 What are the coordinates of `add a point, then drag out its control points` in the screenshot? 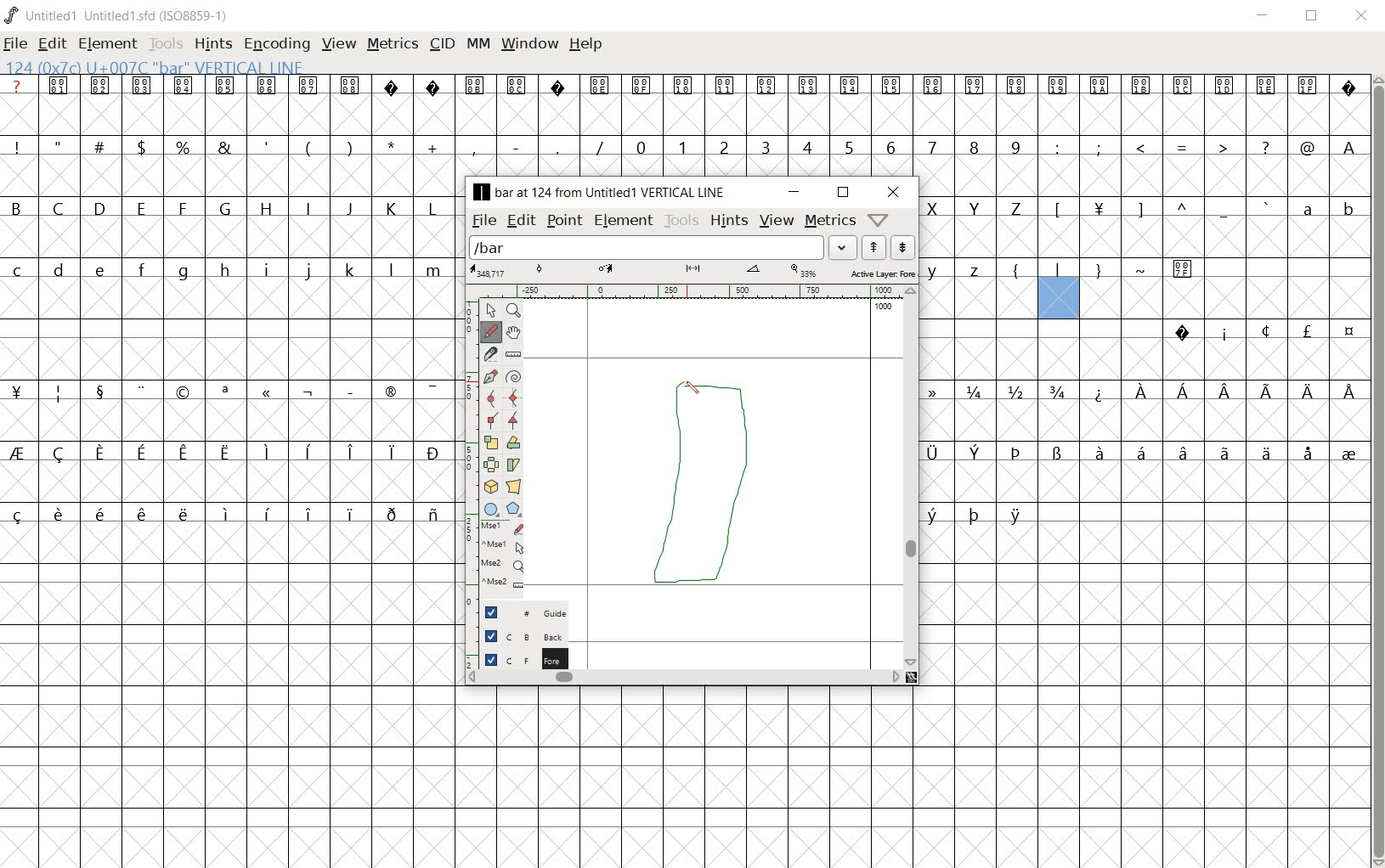 It's located at (489, 375).